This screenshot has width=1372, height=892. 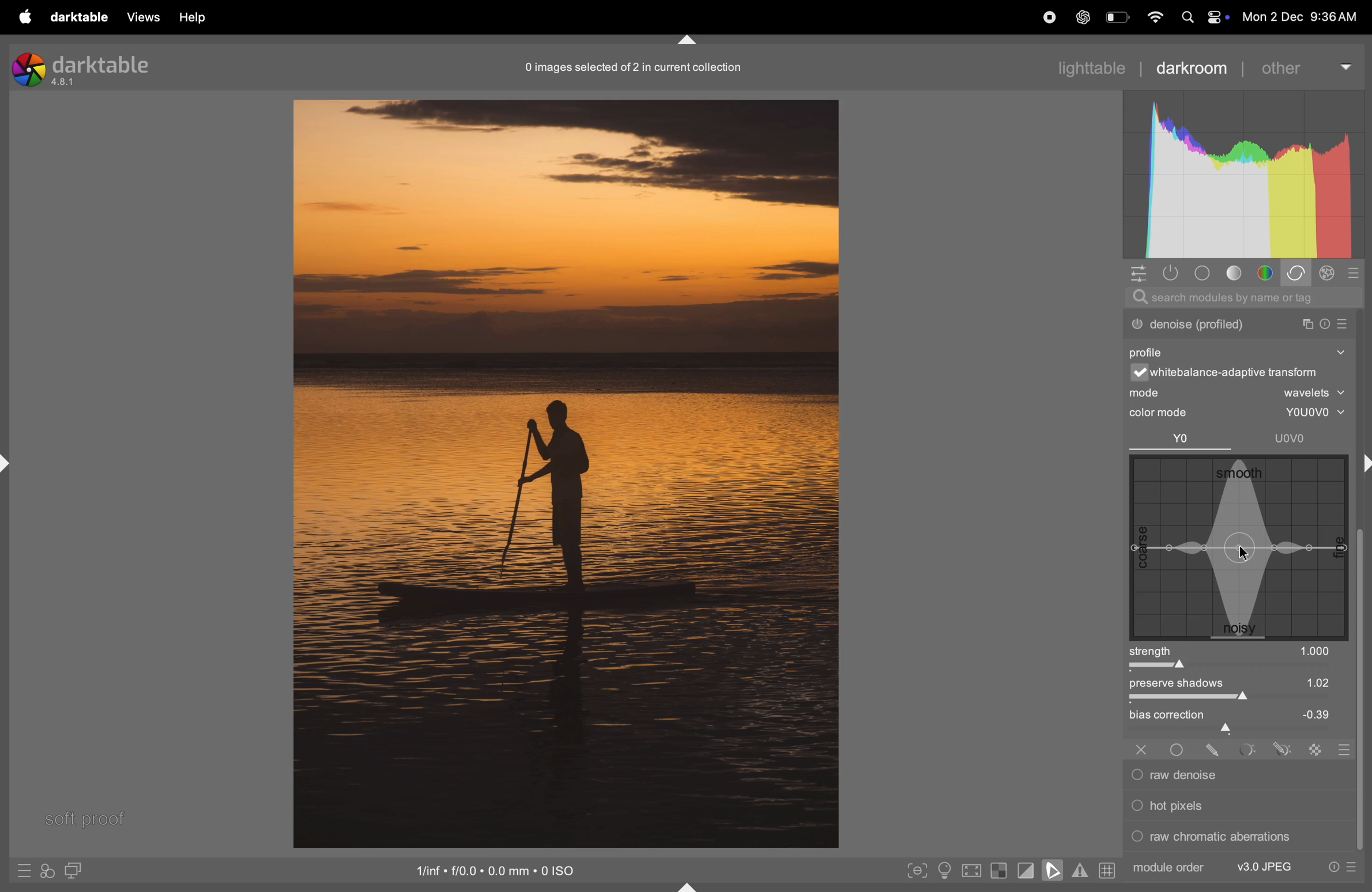 I want to click on toggle softproffing, so click(x=1053, y=872).